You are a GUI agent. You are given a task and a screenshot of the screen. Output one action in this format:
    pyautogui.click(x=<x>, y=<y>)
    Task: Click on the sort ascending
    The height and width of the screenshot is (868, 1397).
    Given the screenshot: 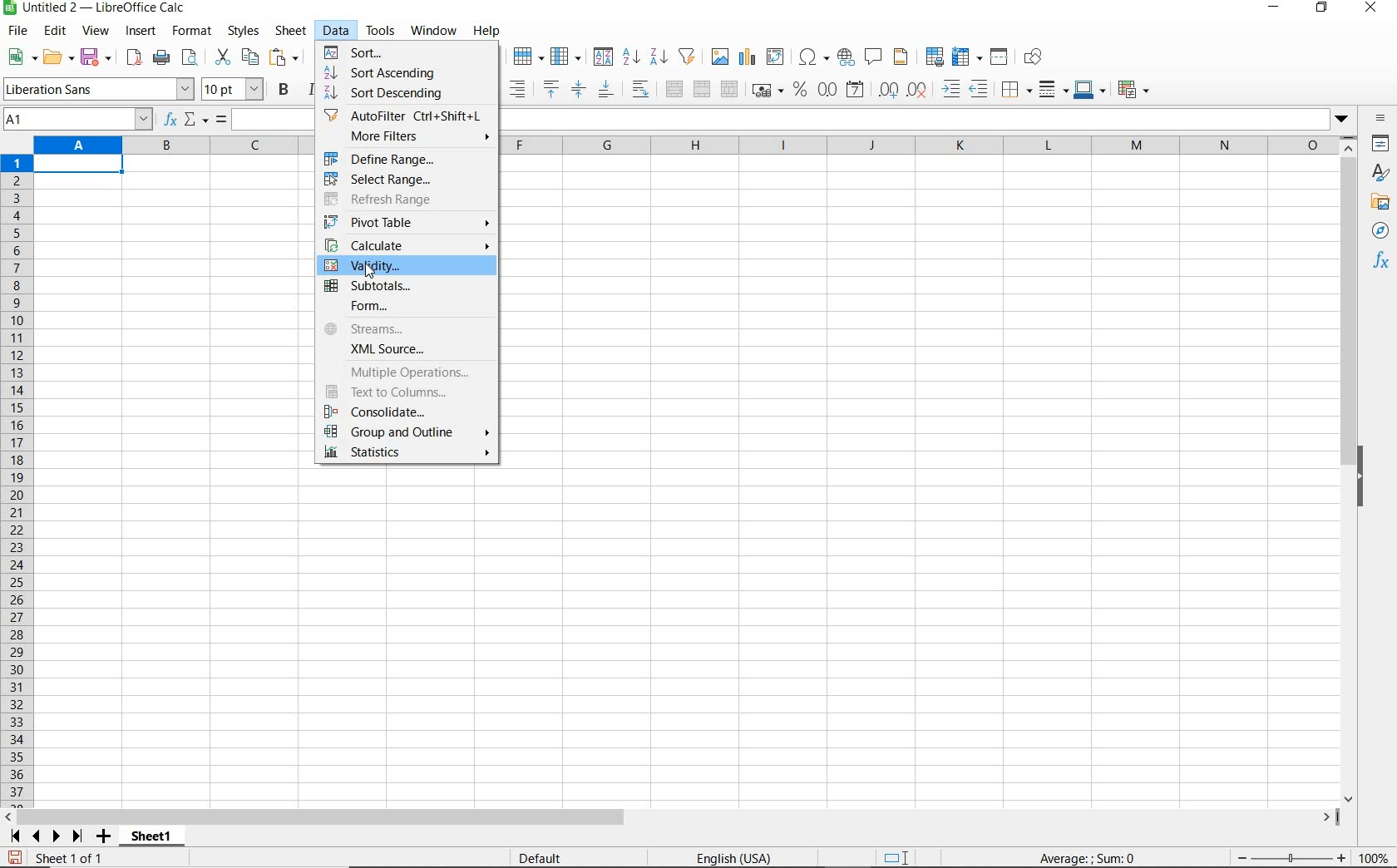 What is the action you would take?
    pyautogui.click(x=385, y=74)
    